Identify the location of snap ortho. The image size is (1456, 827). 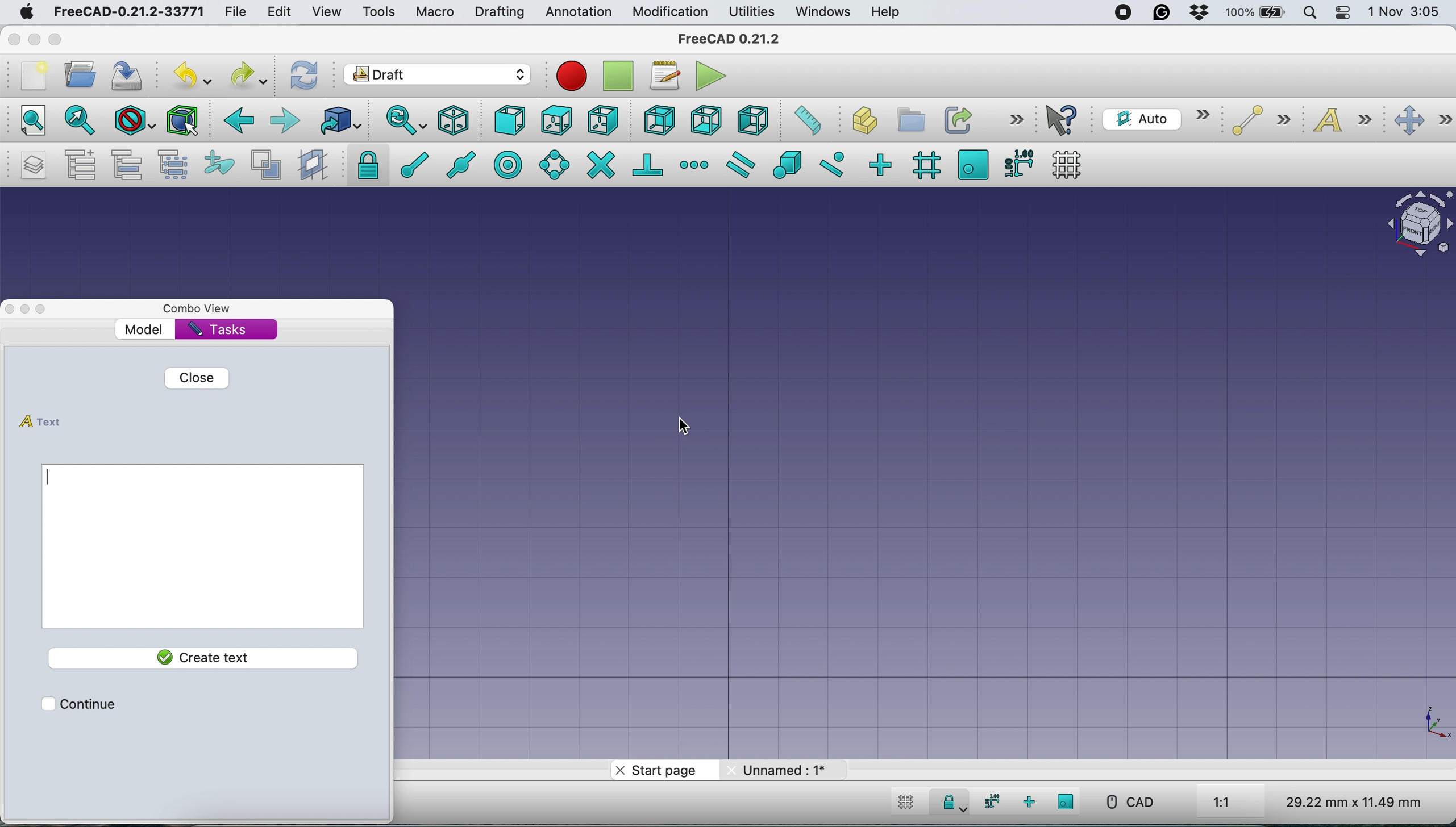
(881, 164).